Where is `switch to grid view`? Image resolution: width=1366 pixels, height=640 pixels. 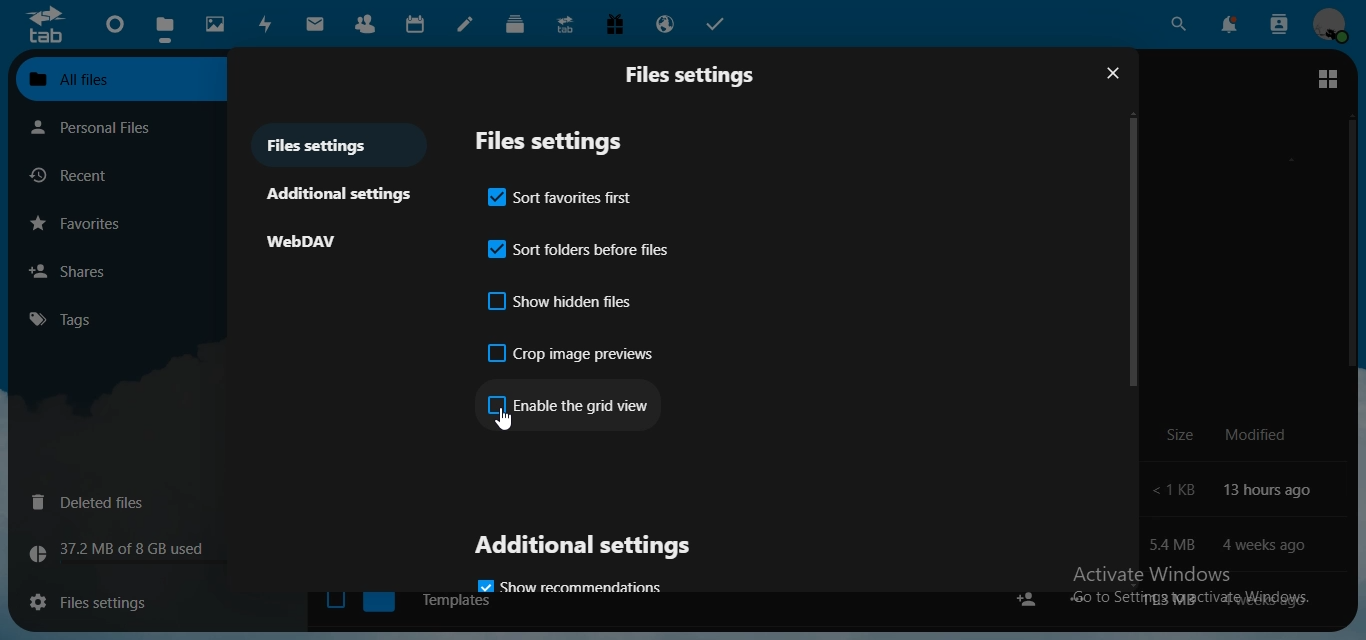
switch to grid view is located at coordinates (1327, 80).